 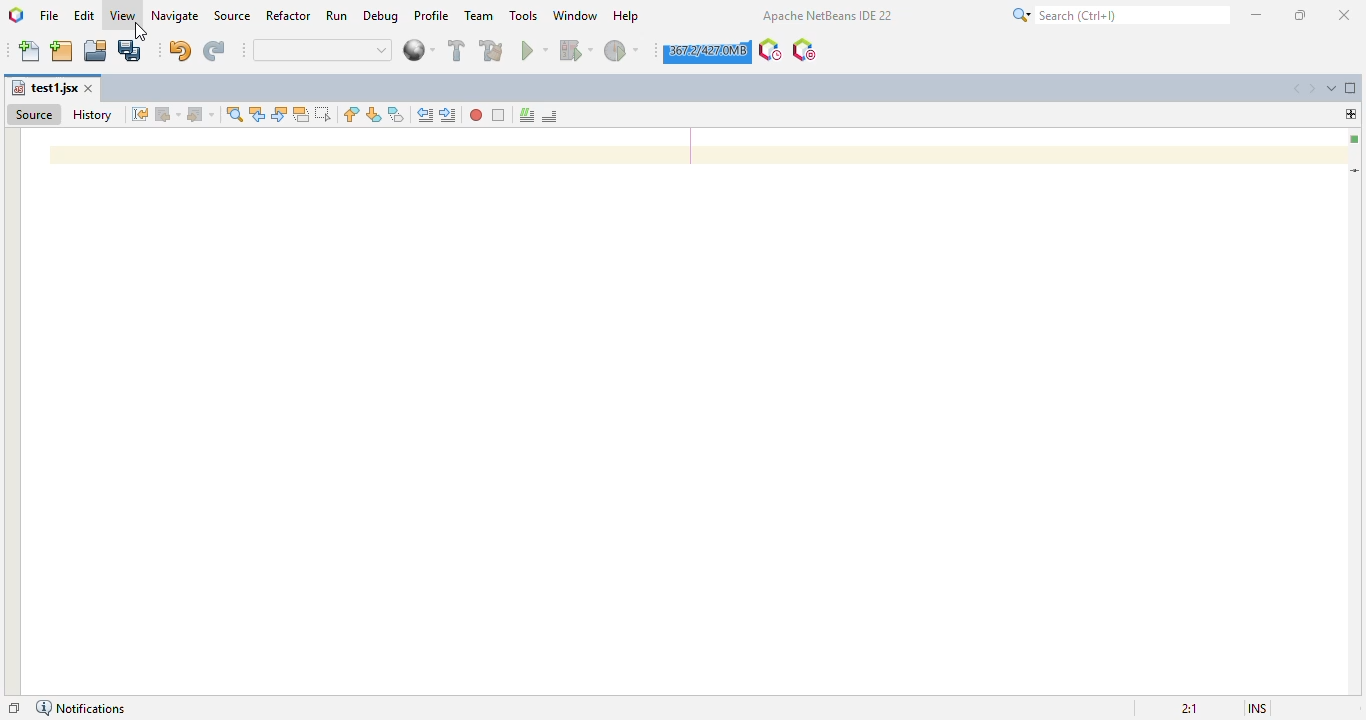 I want to click on open project, so click(x=95, y=50).